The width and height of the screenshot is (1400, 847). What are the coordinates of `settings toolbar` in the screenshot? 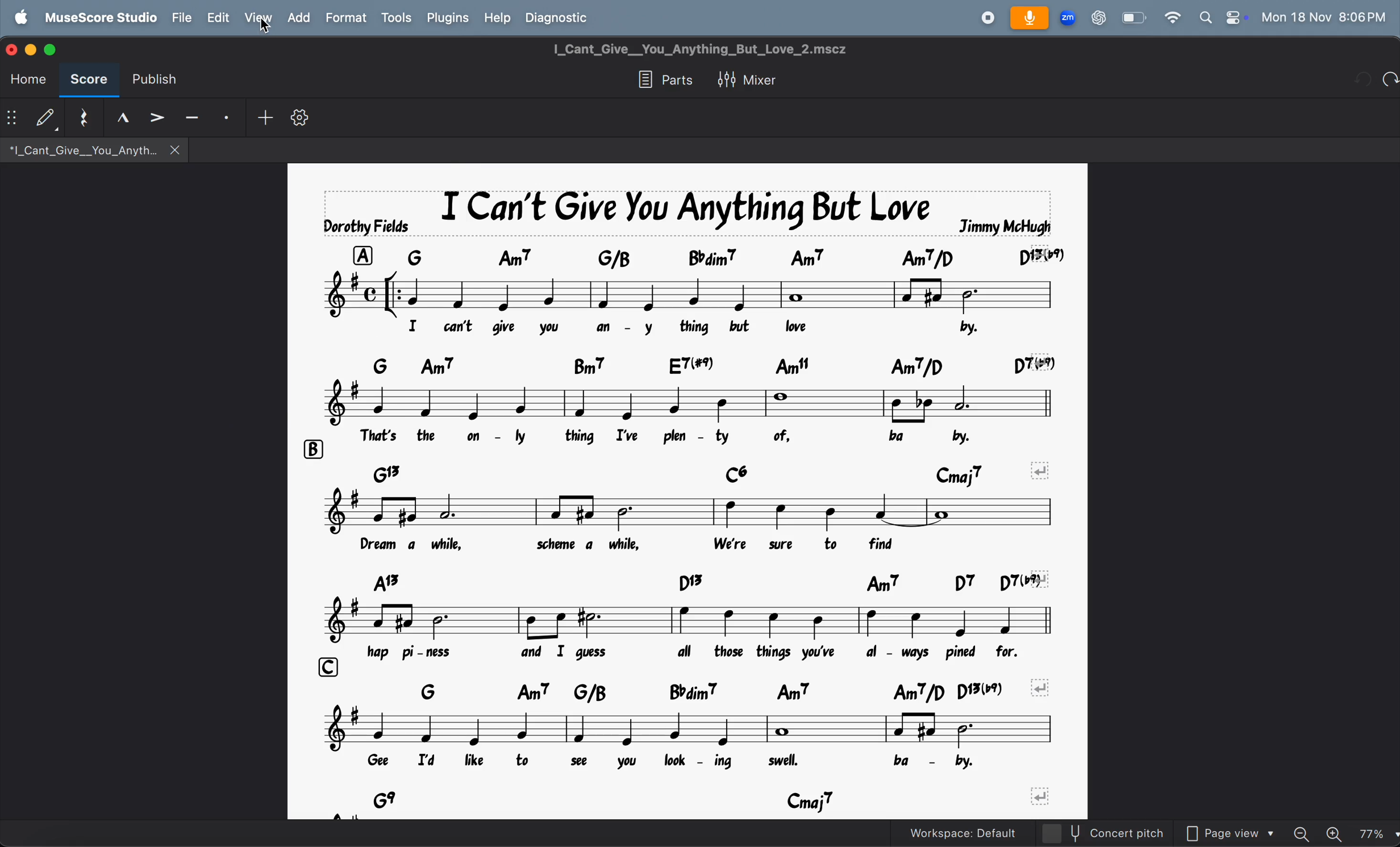 It's located at (303, 115).